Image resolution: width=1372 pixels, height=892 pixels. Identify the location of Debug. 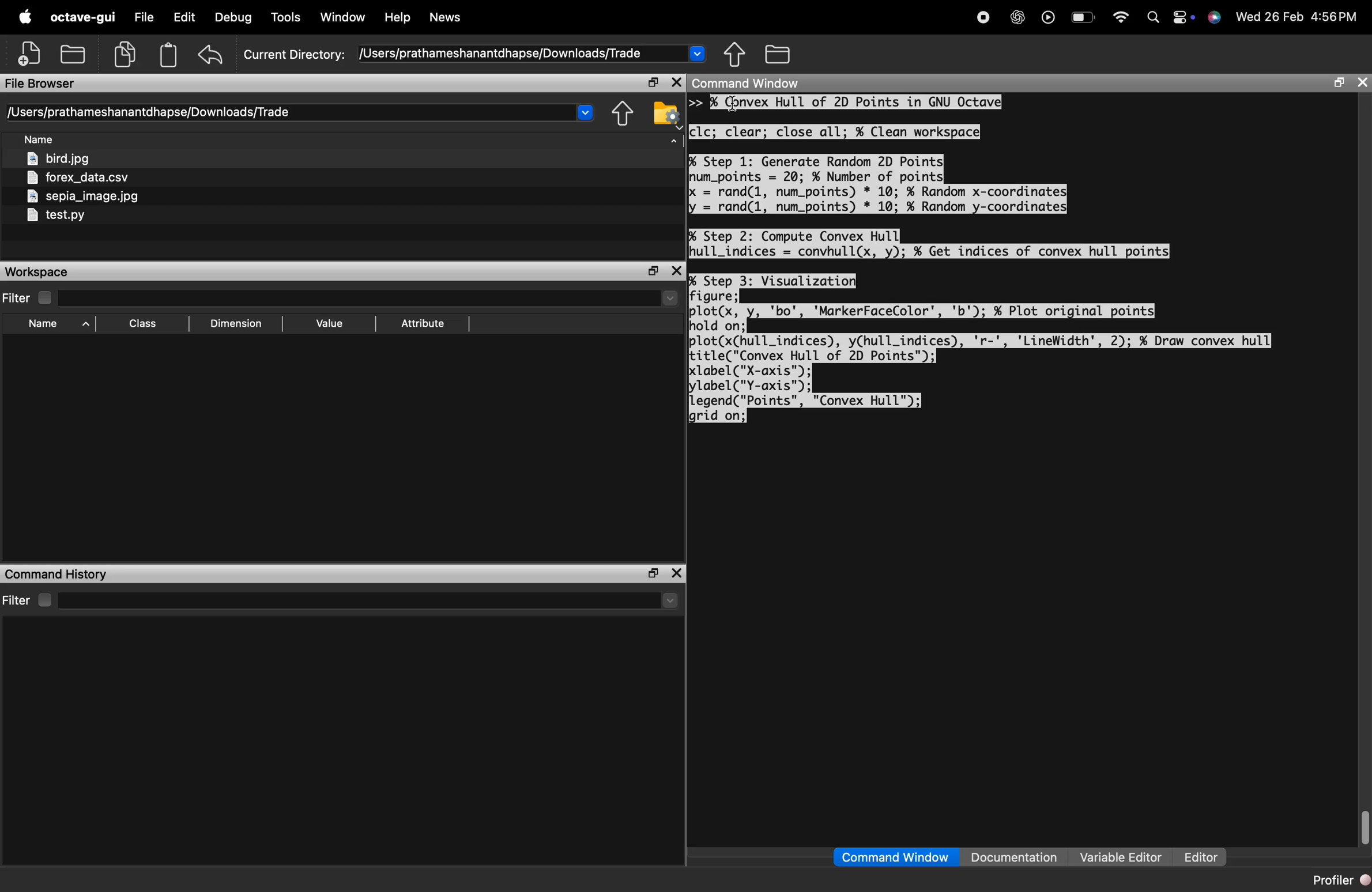
(233, 18).